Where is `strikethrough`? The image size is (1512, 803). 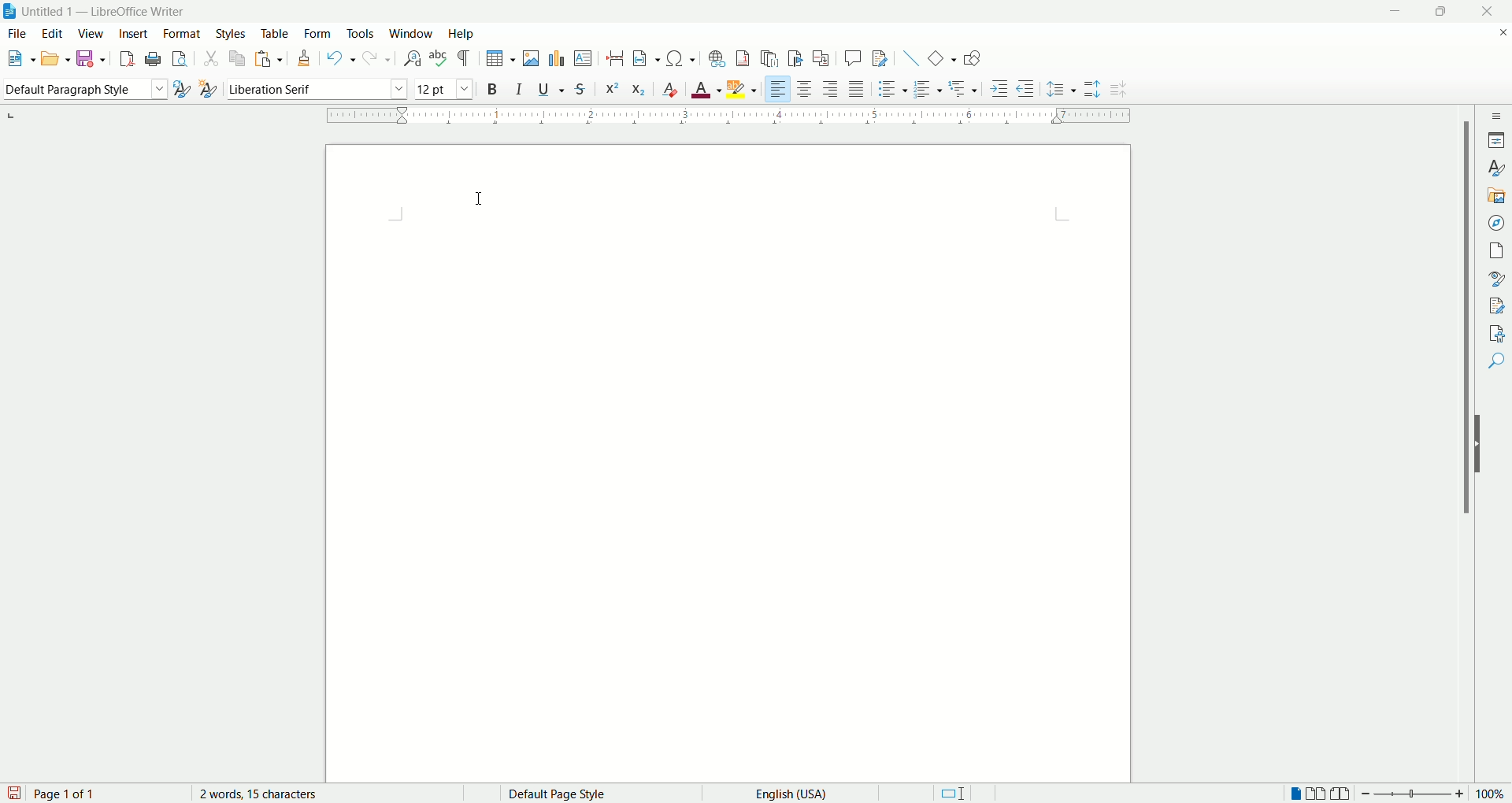 strikethrough is located at coordinates (582, 89).